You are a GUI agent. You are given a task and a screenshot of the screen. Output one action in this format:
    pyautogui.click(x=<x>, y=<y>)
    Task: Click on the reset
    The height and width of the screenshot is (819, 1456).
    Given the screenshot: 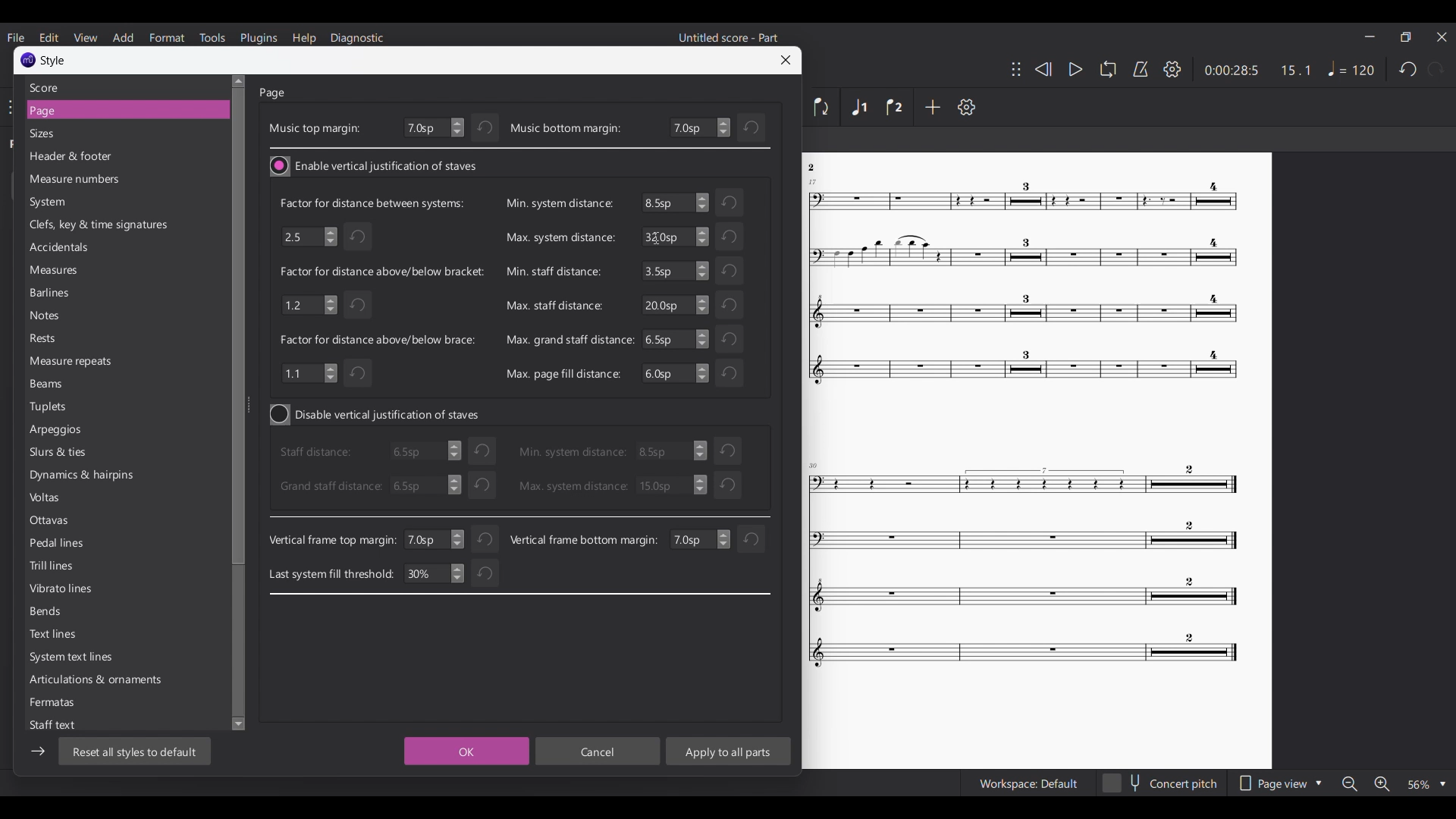 What is the action you would take?
    pyautogui.click(x=751, y=539)
    